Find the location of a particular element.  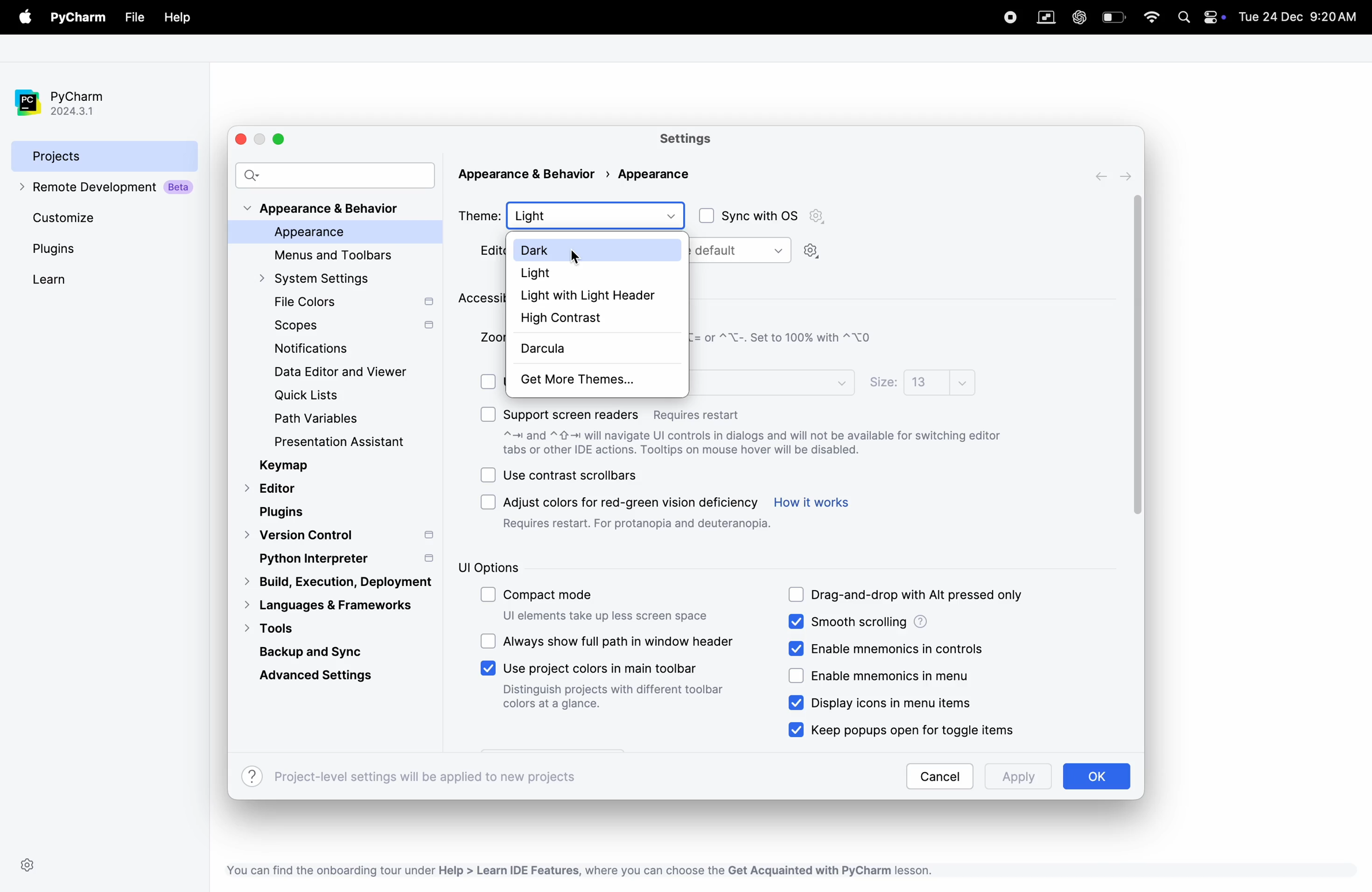

description is located at coordinates (754, 445).